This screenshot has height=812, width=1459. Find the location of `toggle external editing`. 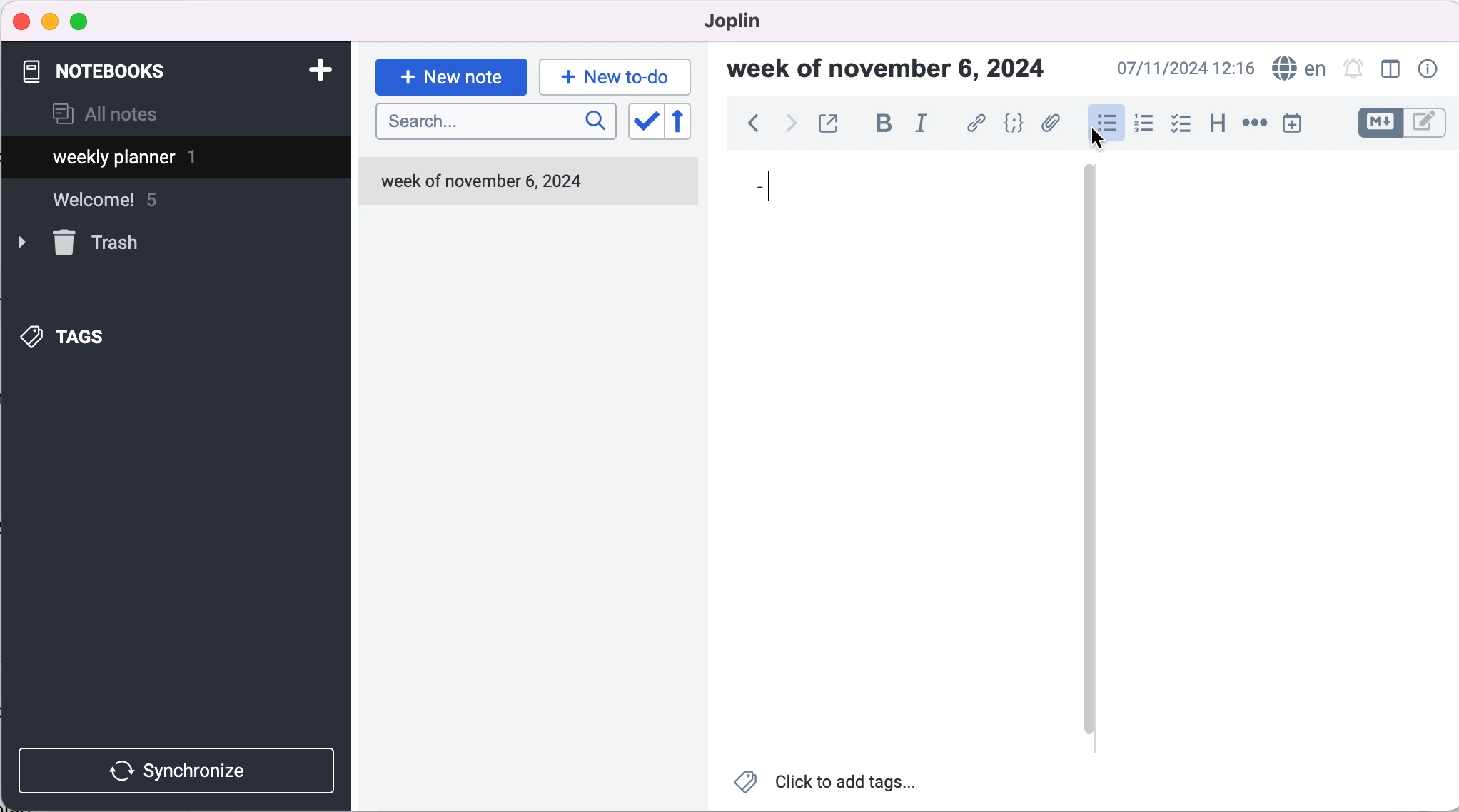

toggle external editing is located at coordinates (830, 125).